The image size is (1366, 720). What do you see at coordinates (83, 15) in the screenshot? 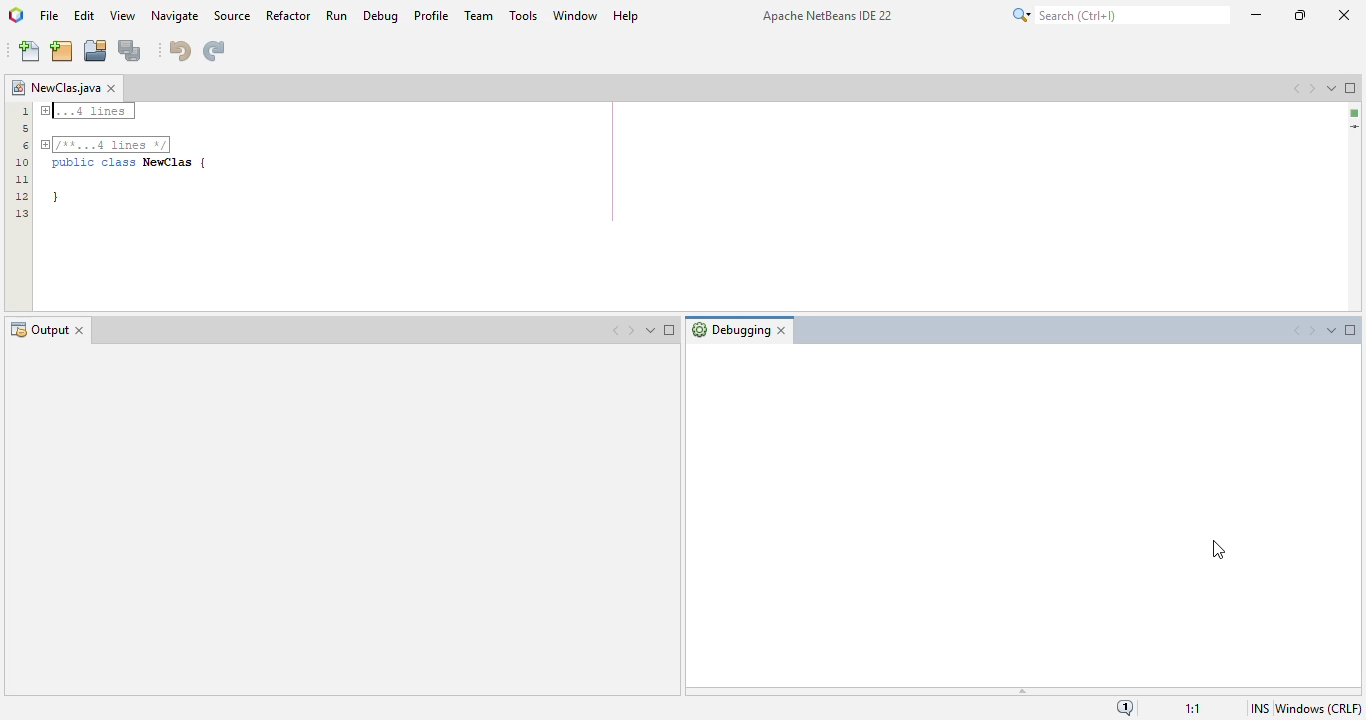
I see `edit` at bounding box center [83, 15].